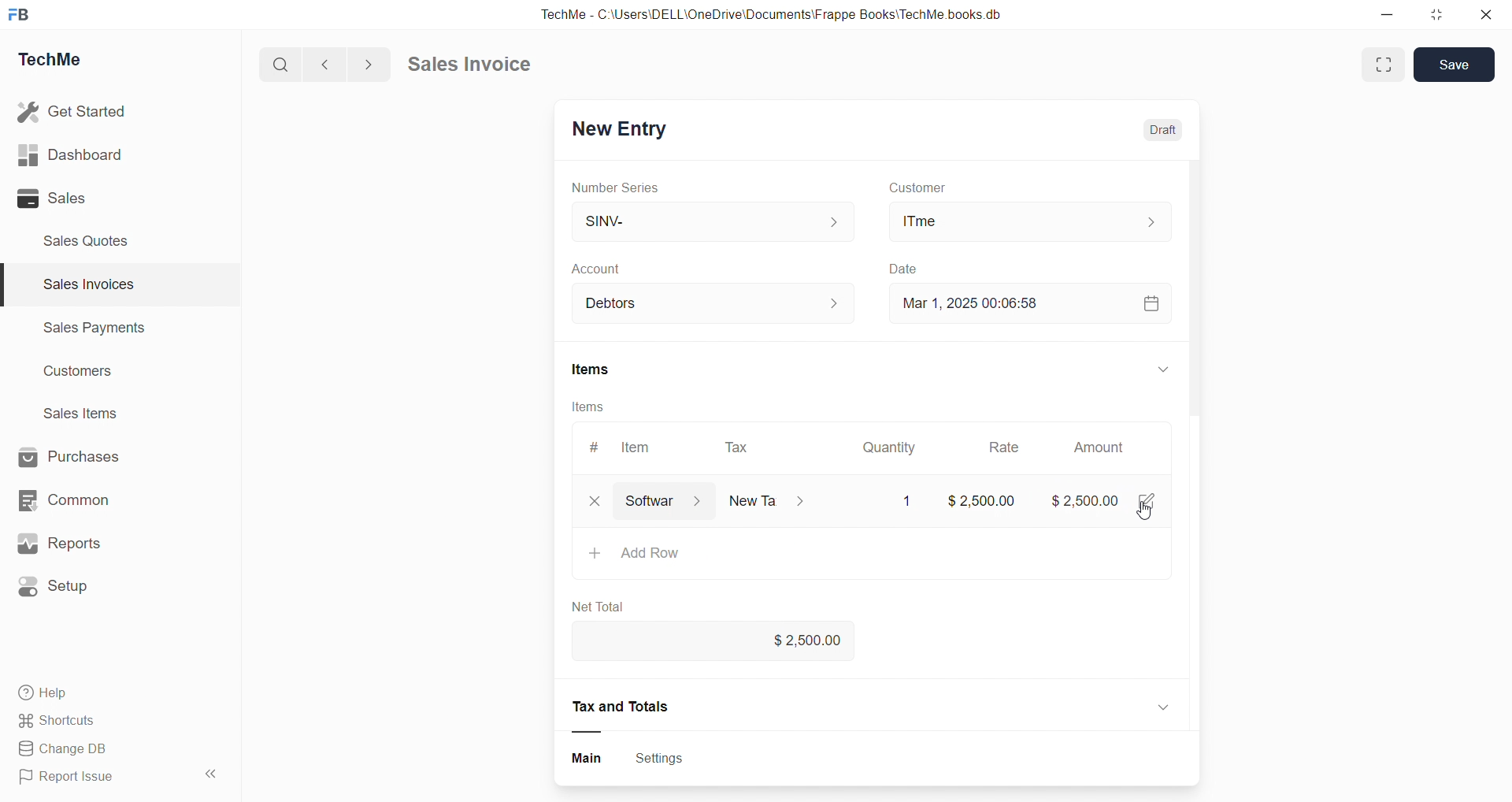  What do you see at coordinates (939, 188) in the screenshot?
I see `Customer` at bounding box center [939, 188].